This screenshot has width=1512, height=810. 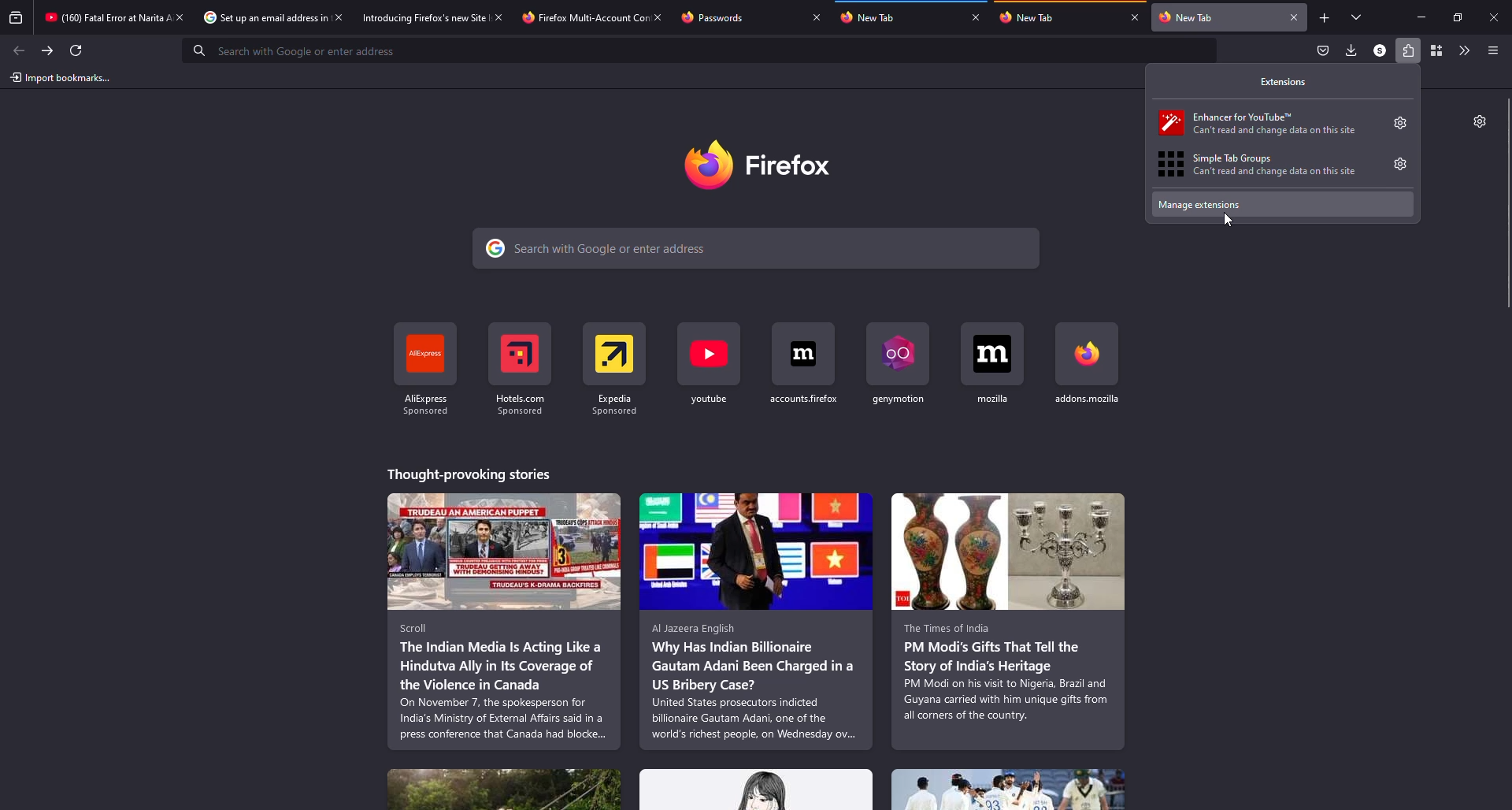 I want to click on view recent, so click(x=17, y=17).